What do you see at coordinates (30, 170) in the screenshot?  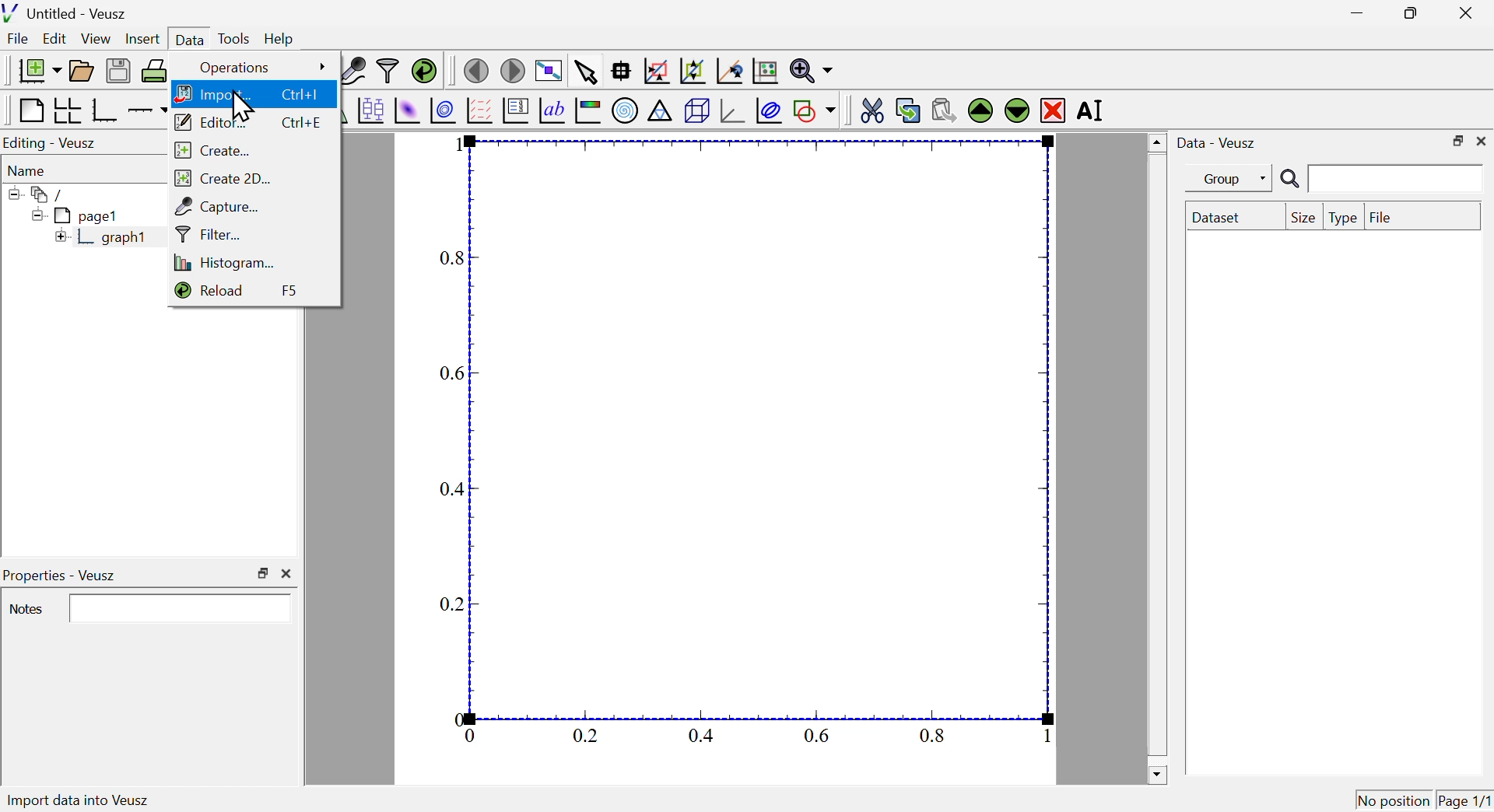 I see `name` at bounding box center [30, 170].